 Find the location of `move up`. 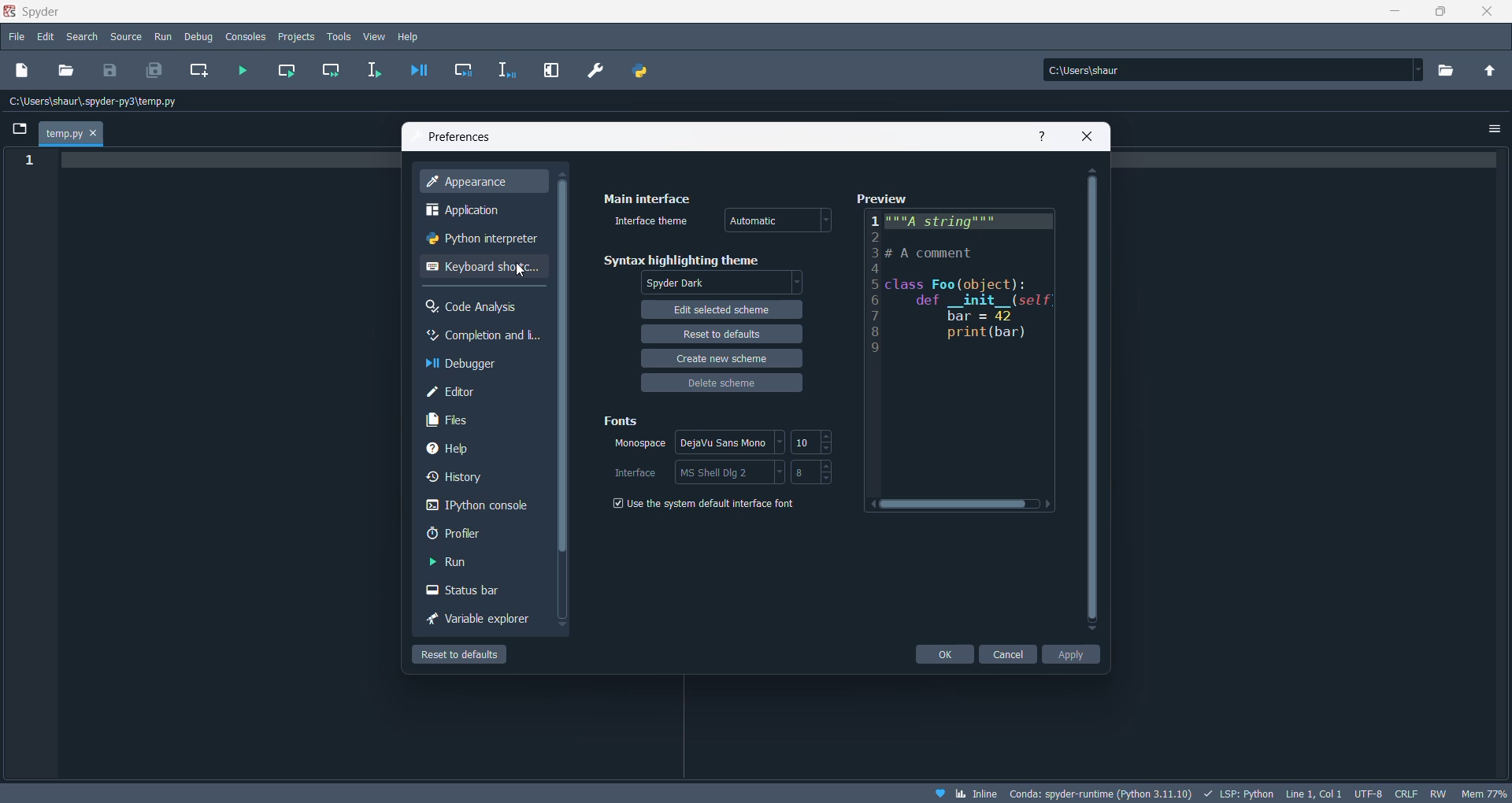

move up is located at coordinates (1091, 169).